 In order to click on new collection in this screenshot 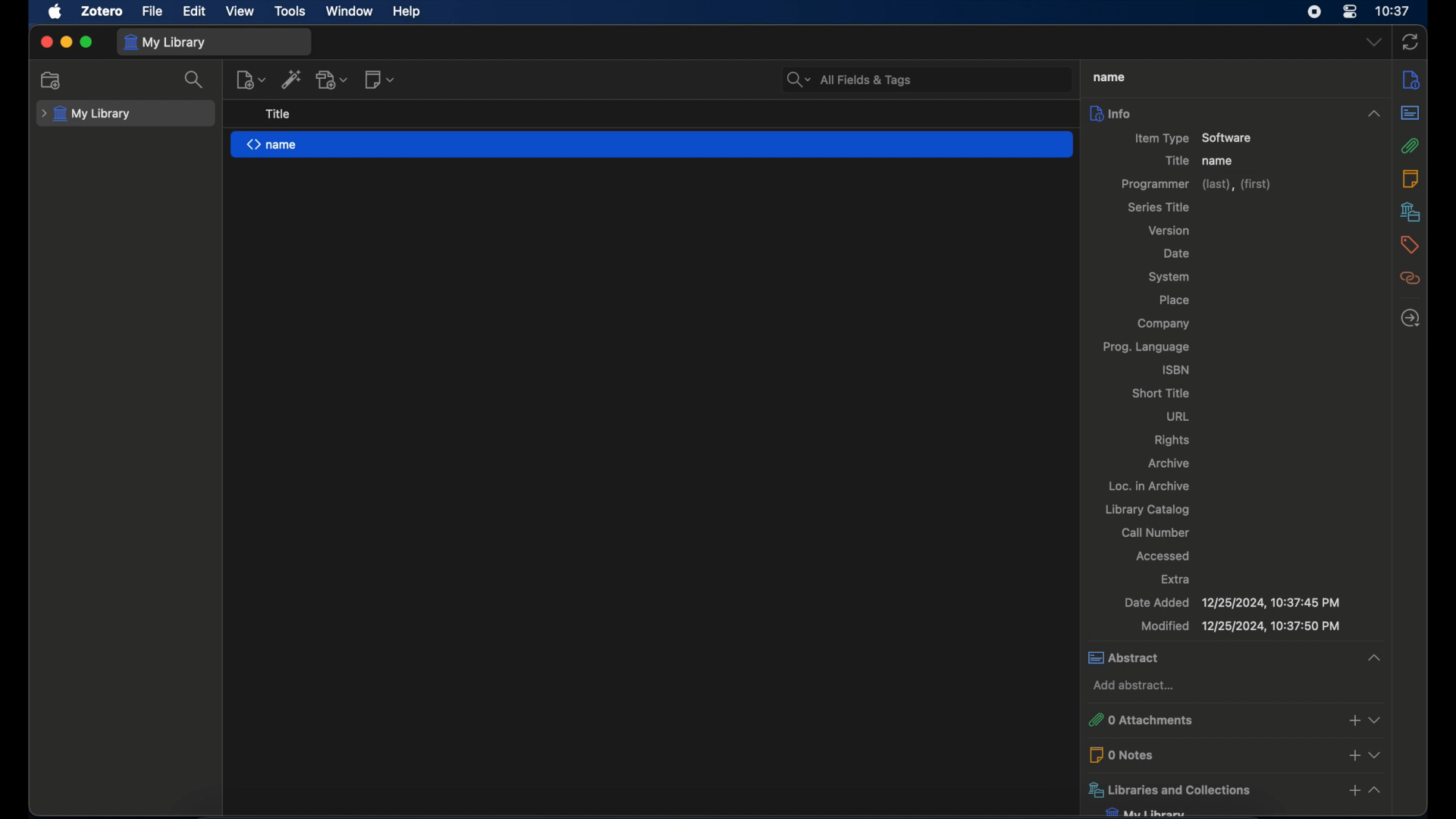, I will do `click(53, 81)`.